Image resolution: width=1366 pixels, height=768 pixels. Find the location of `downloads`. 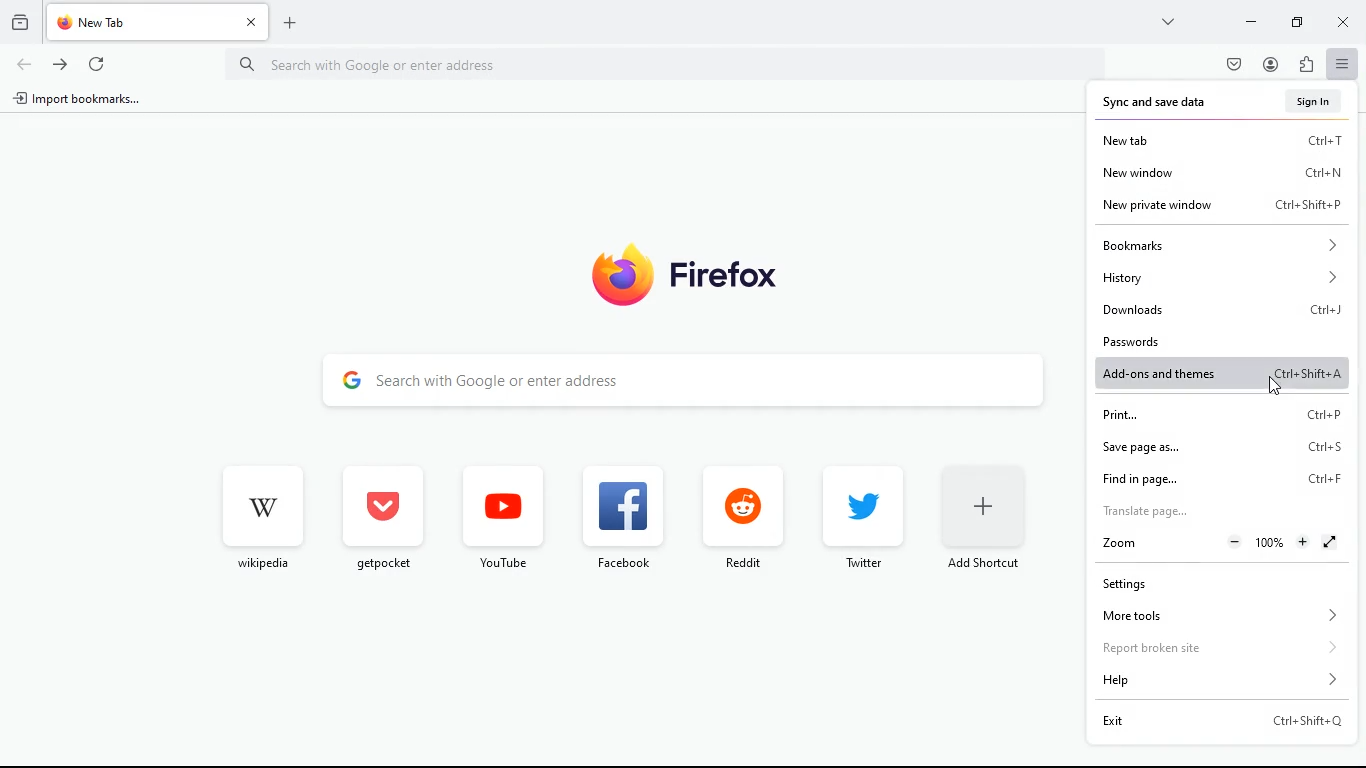

downloads is located at coordinates (1217, 308).